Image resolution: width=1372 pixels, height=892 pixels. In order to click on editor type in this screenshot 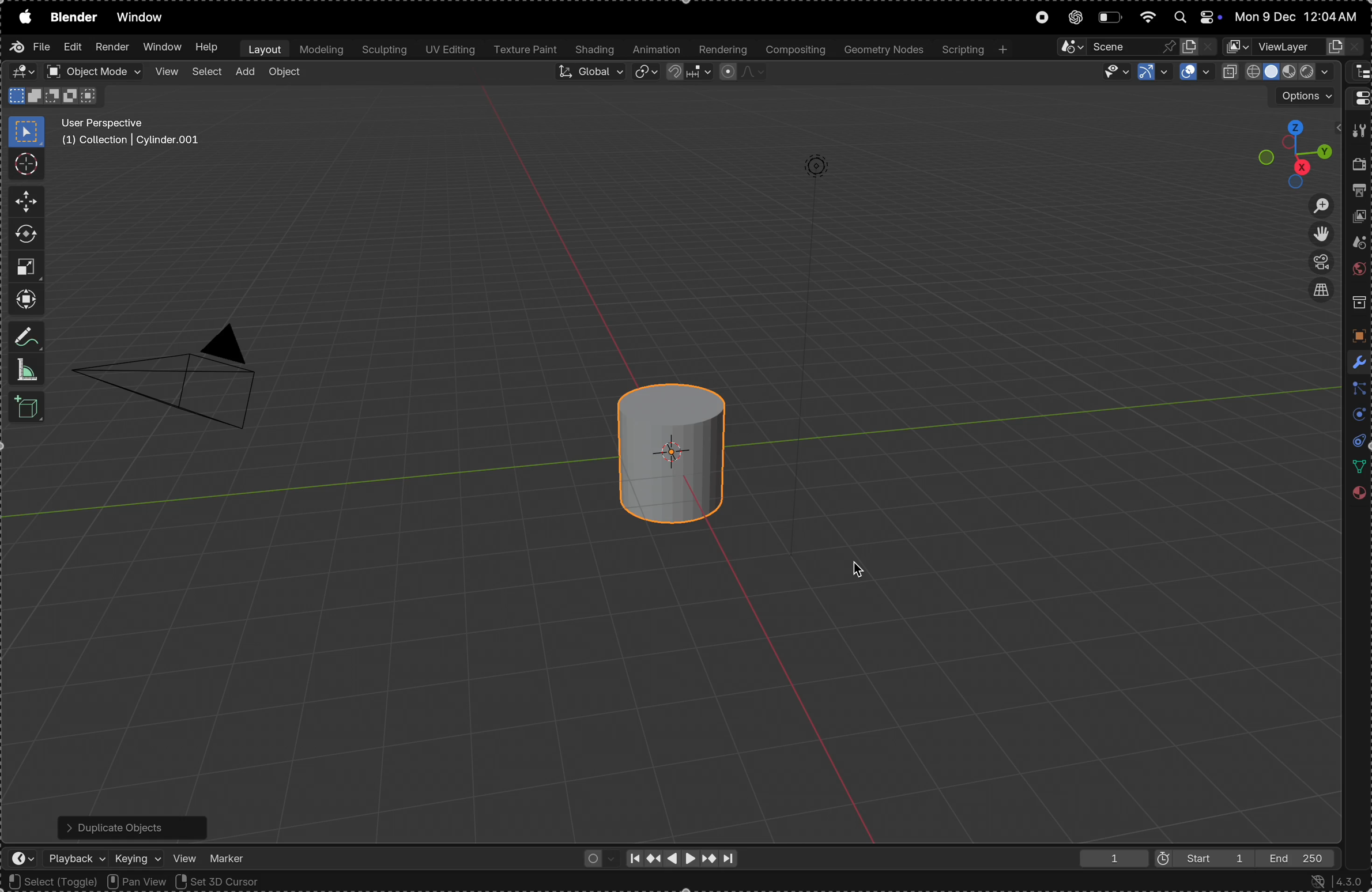, I will do `click(1358, 97)`.